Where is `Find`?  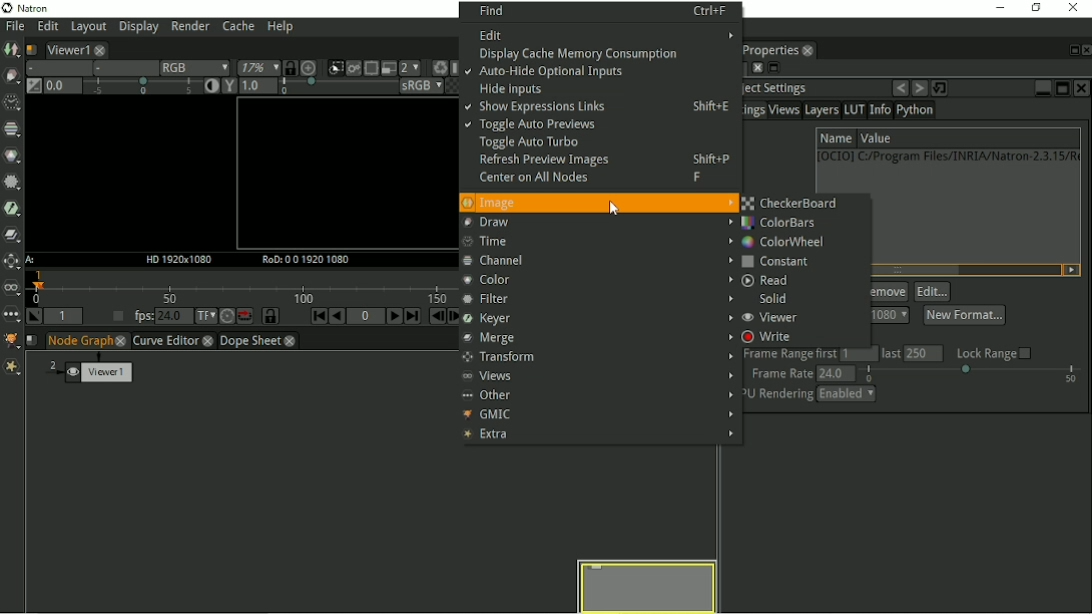 Find is located at coordinates (603, 10).